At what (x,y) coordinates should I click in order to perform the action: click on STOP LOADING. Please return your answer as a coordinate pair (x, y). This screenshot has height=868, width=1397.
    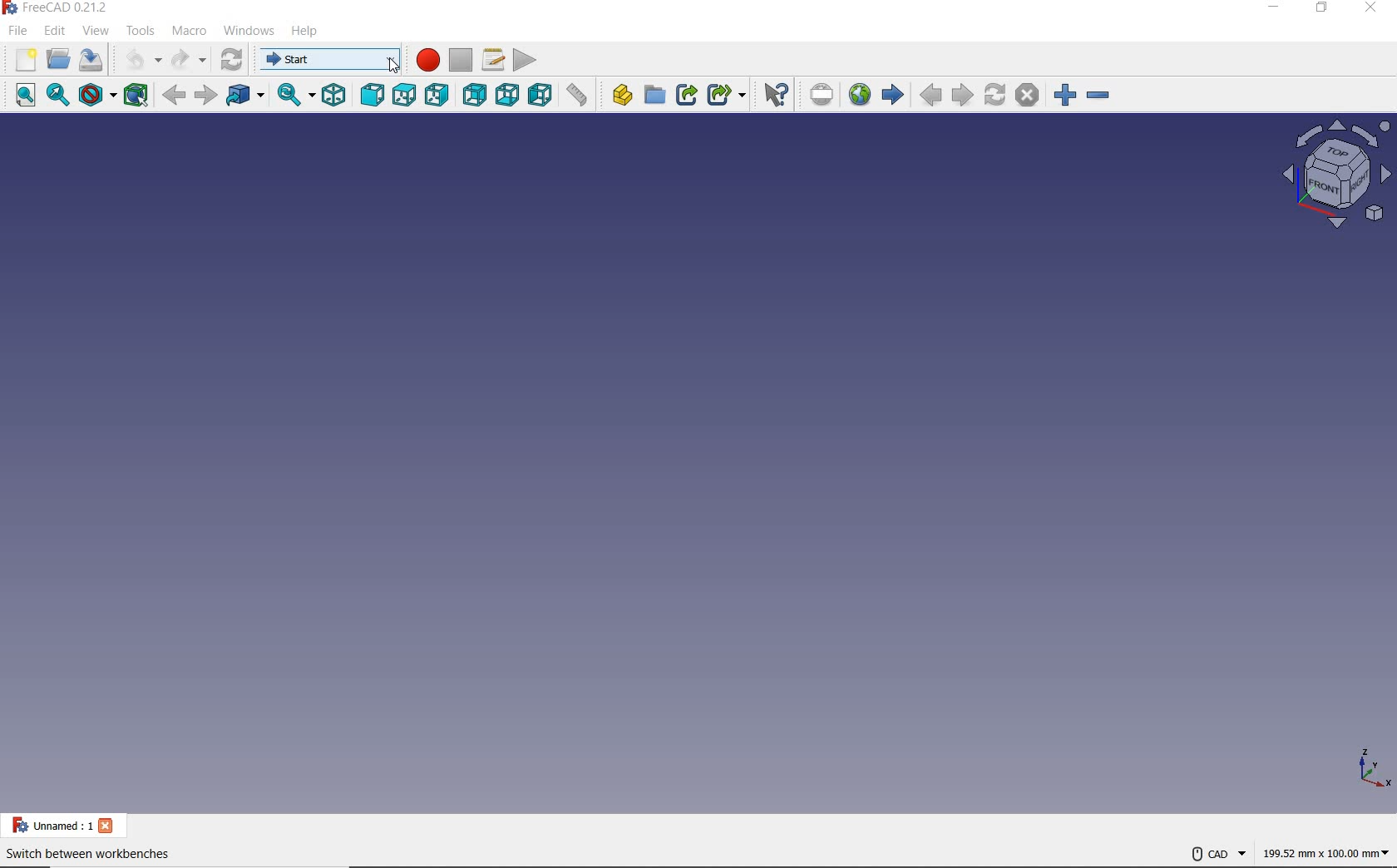
    Looking at the image, I should click on (1028, 96).